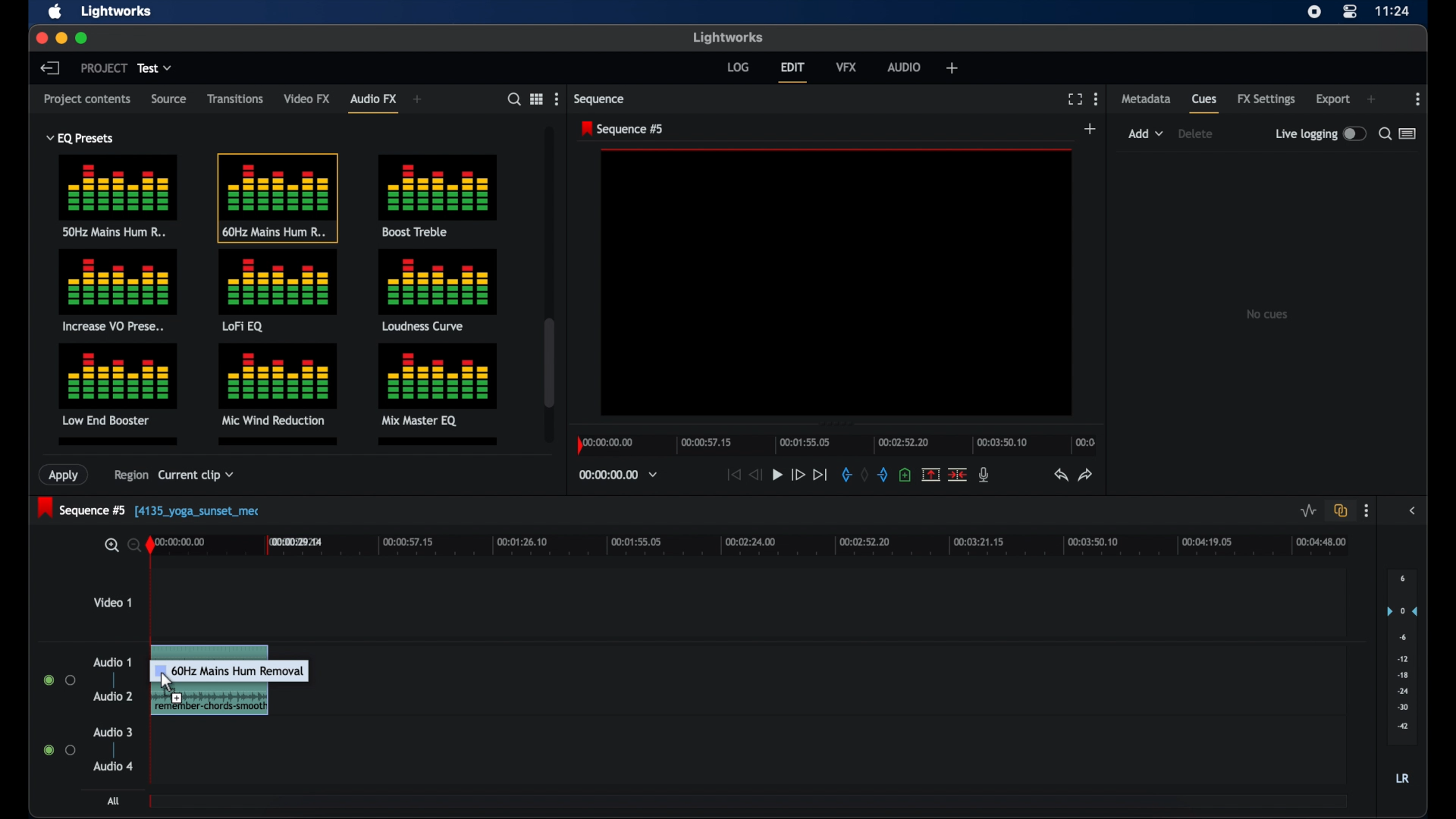 The width and height of the screenshot is (1456, 819). Describe the element at coordinates (438, 290) in the screenshot. I see `loudness curve` at that location.